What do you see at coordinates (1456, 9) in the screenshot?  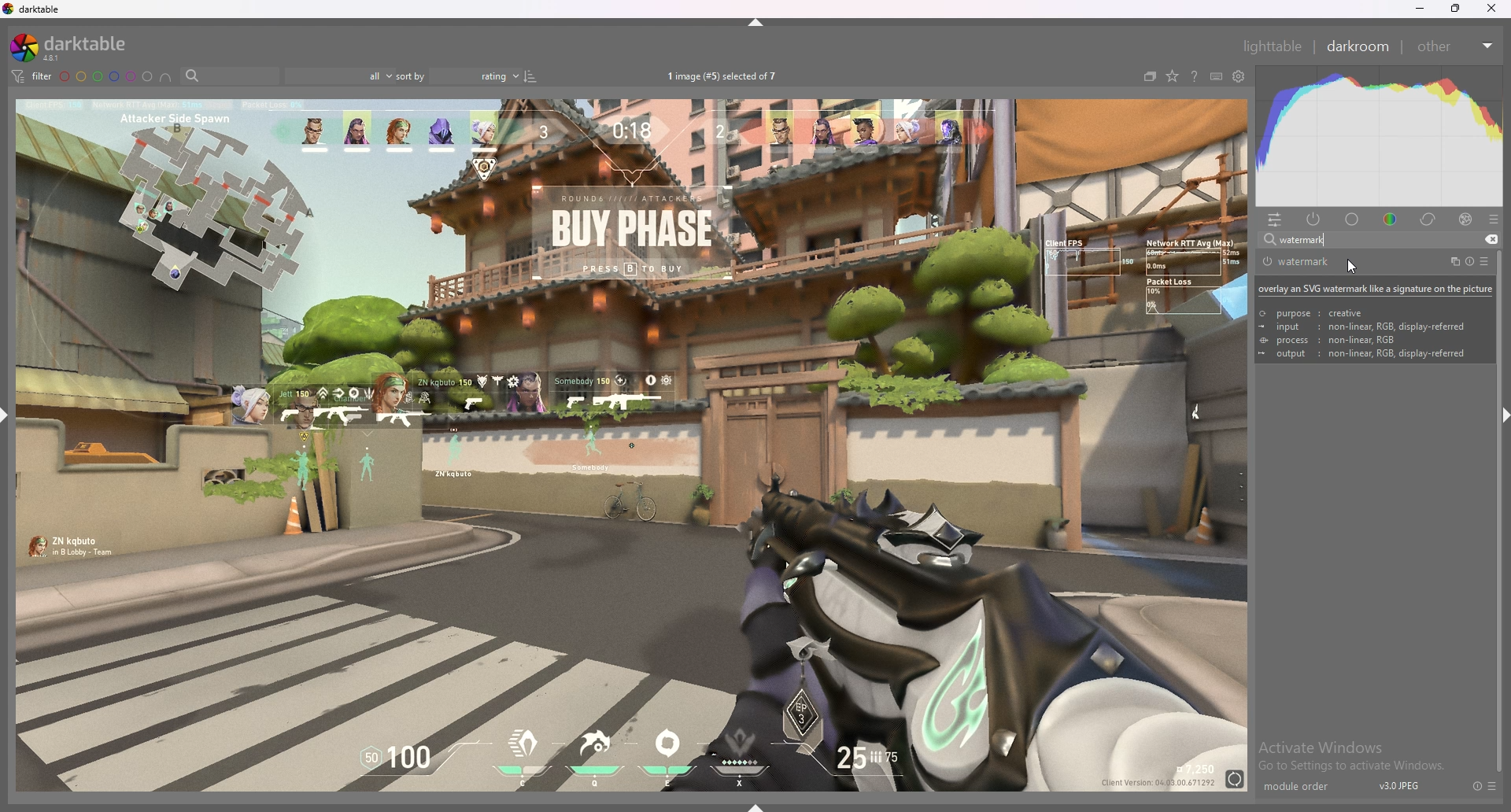 I see `resize` at bounding box center [1456, 9].